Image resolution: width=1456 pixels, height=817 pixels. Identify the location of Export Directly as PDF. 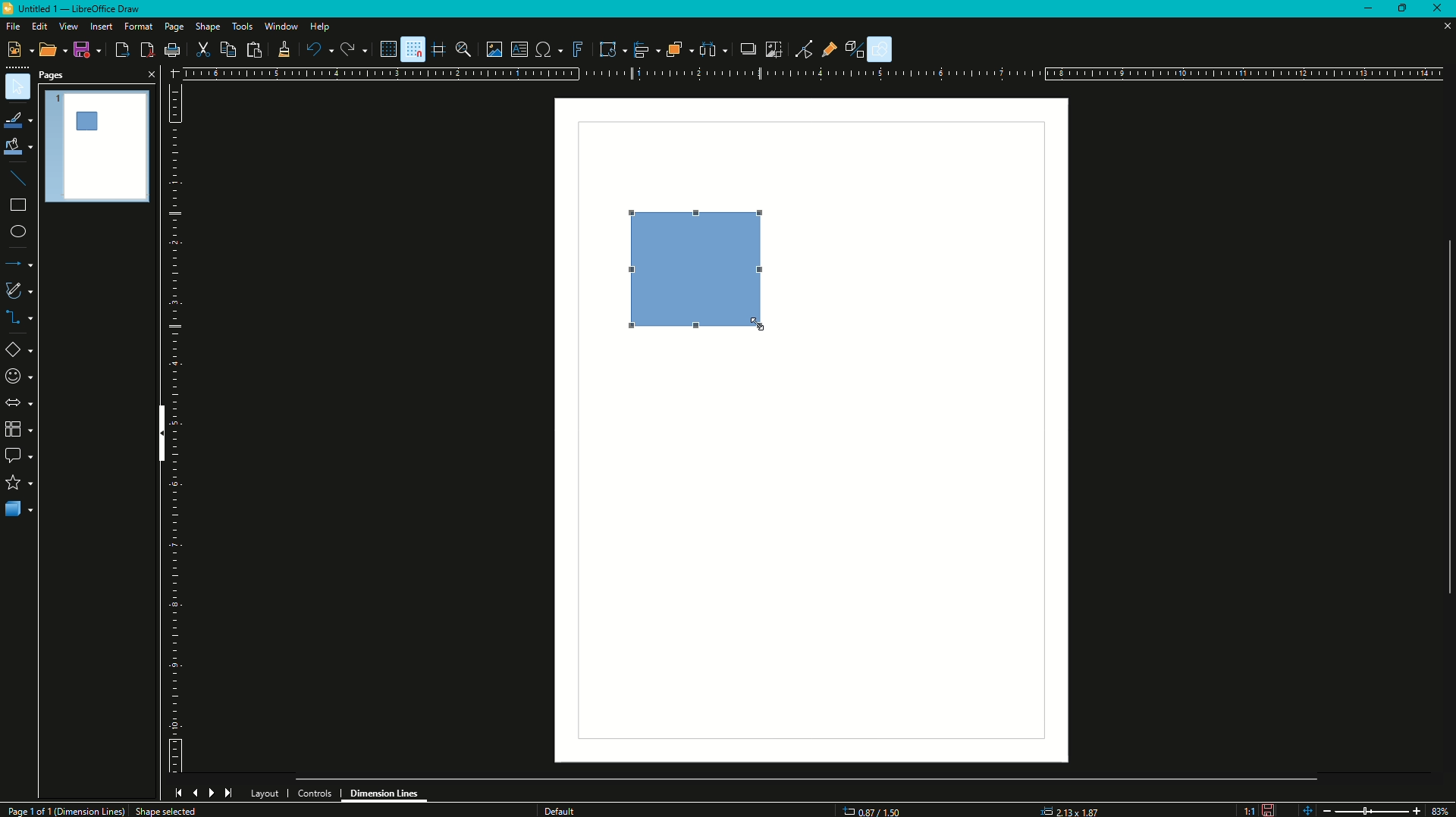
(146, 50).